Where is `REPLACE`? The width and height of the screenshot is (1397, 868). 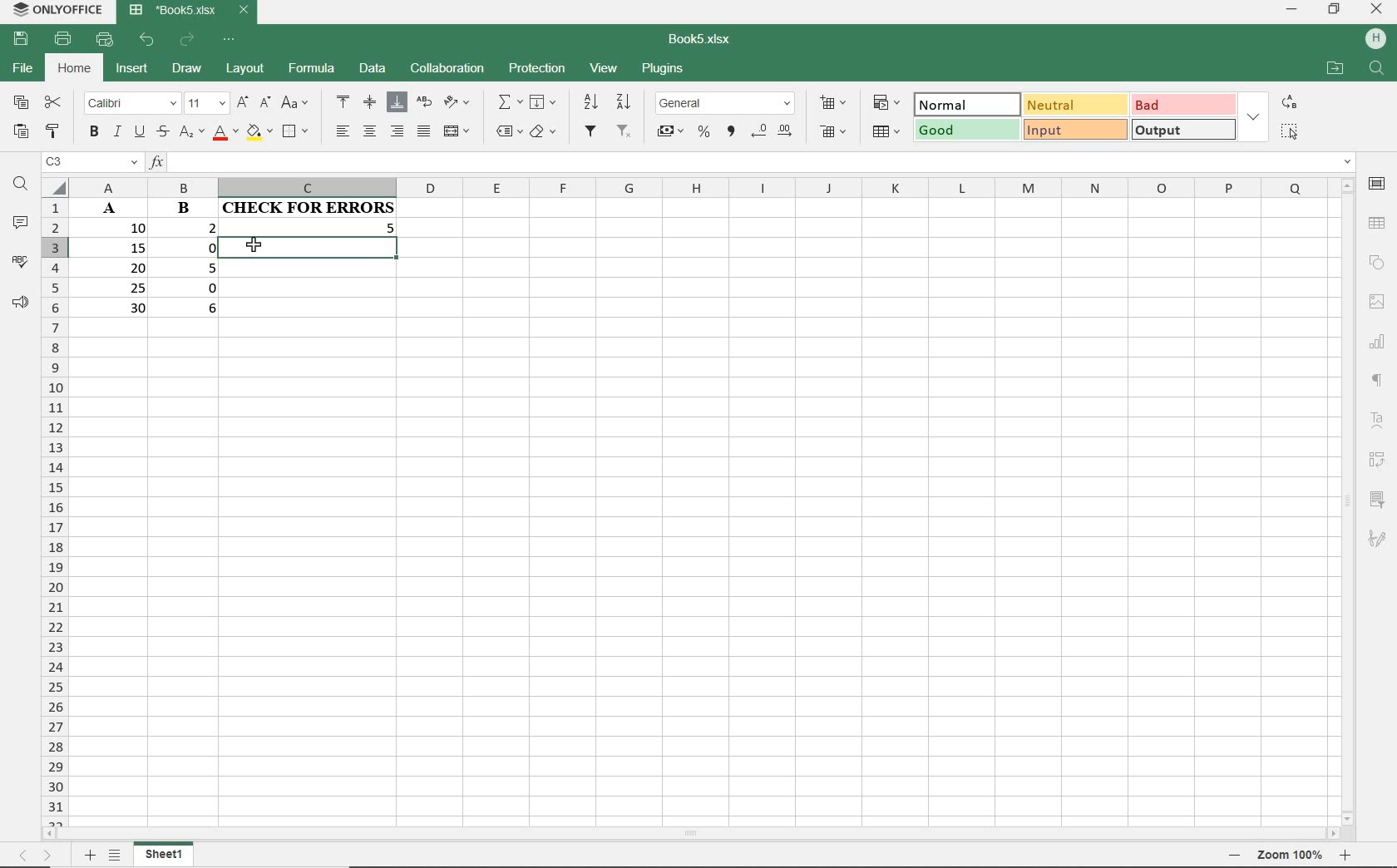
REPLACE is located at coordinates (1289, 101).